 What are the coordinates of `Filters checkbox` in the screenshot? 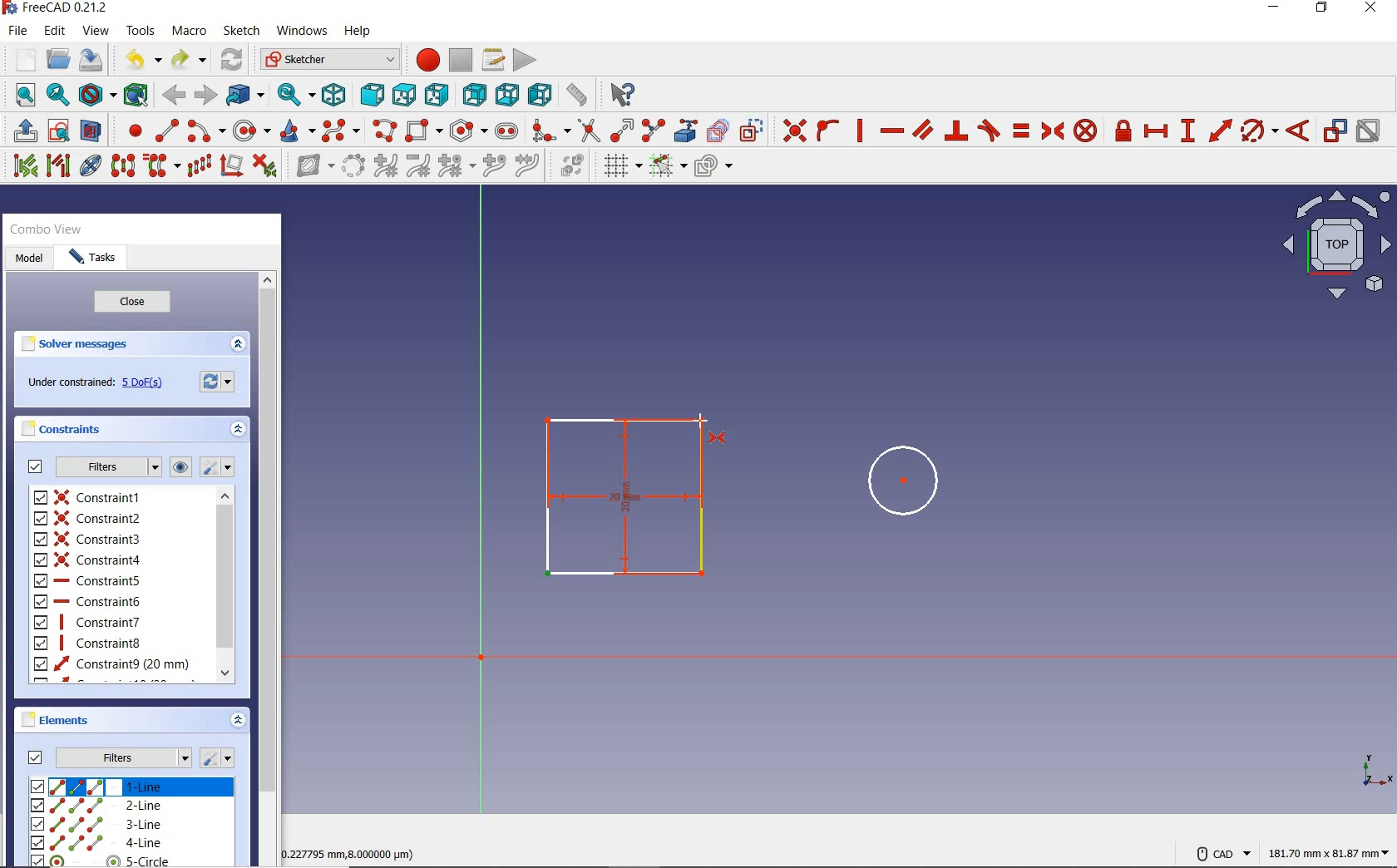 It's located at (33, 758).